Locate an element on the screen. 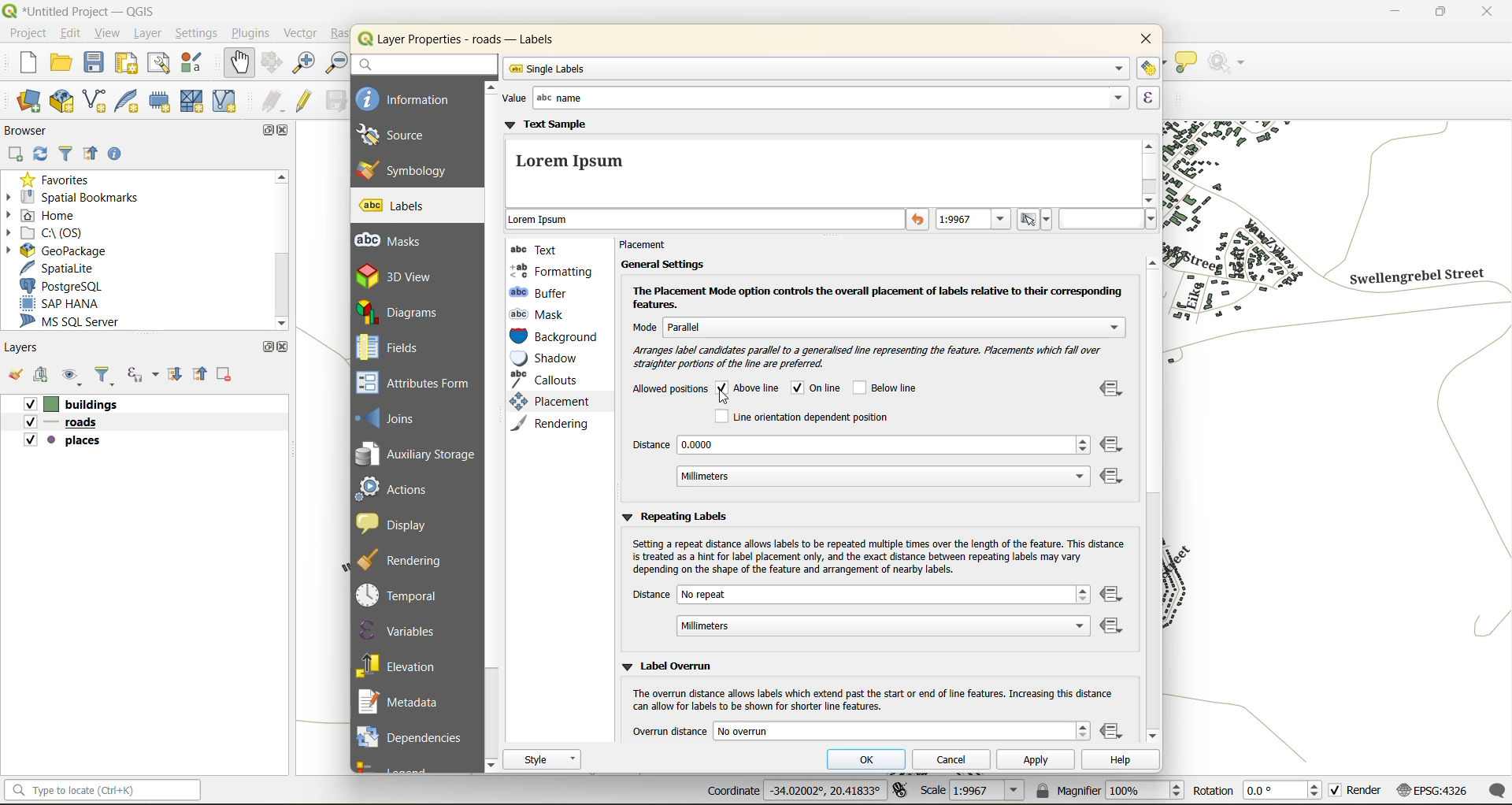  geopackage is located at coordinates (65, 253).